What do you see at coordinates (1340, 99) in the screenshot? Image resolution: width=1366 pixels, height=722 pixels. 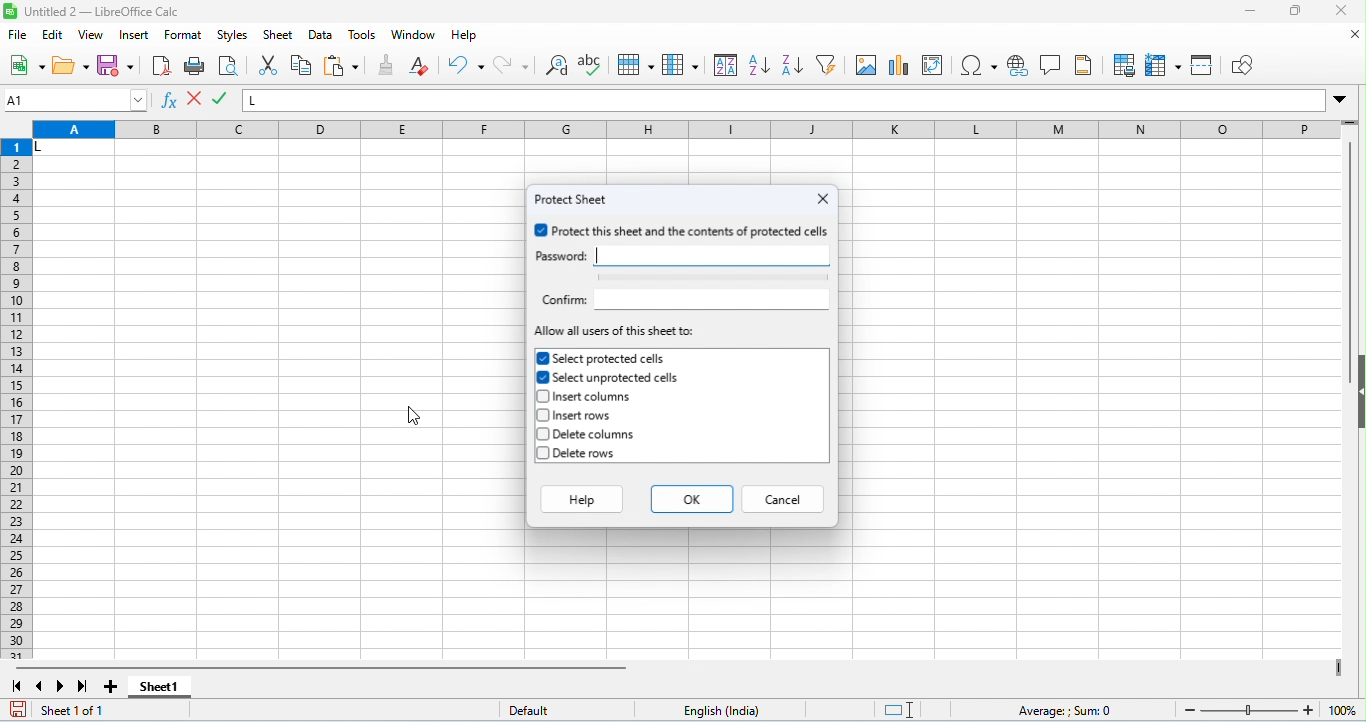 I see `drop down` at bounding box center [1340, 99].